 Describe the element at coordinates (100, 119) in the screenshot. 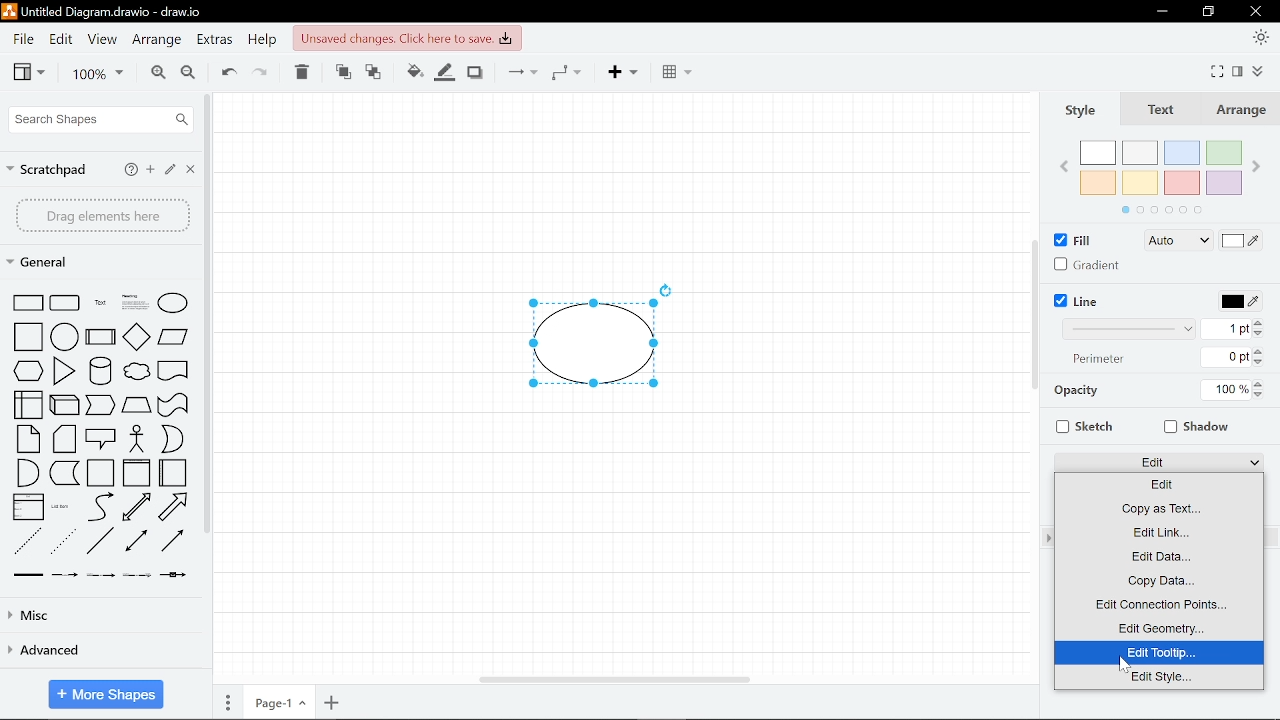

I see `Search by shapes` at that location.